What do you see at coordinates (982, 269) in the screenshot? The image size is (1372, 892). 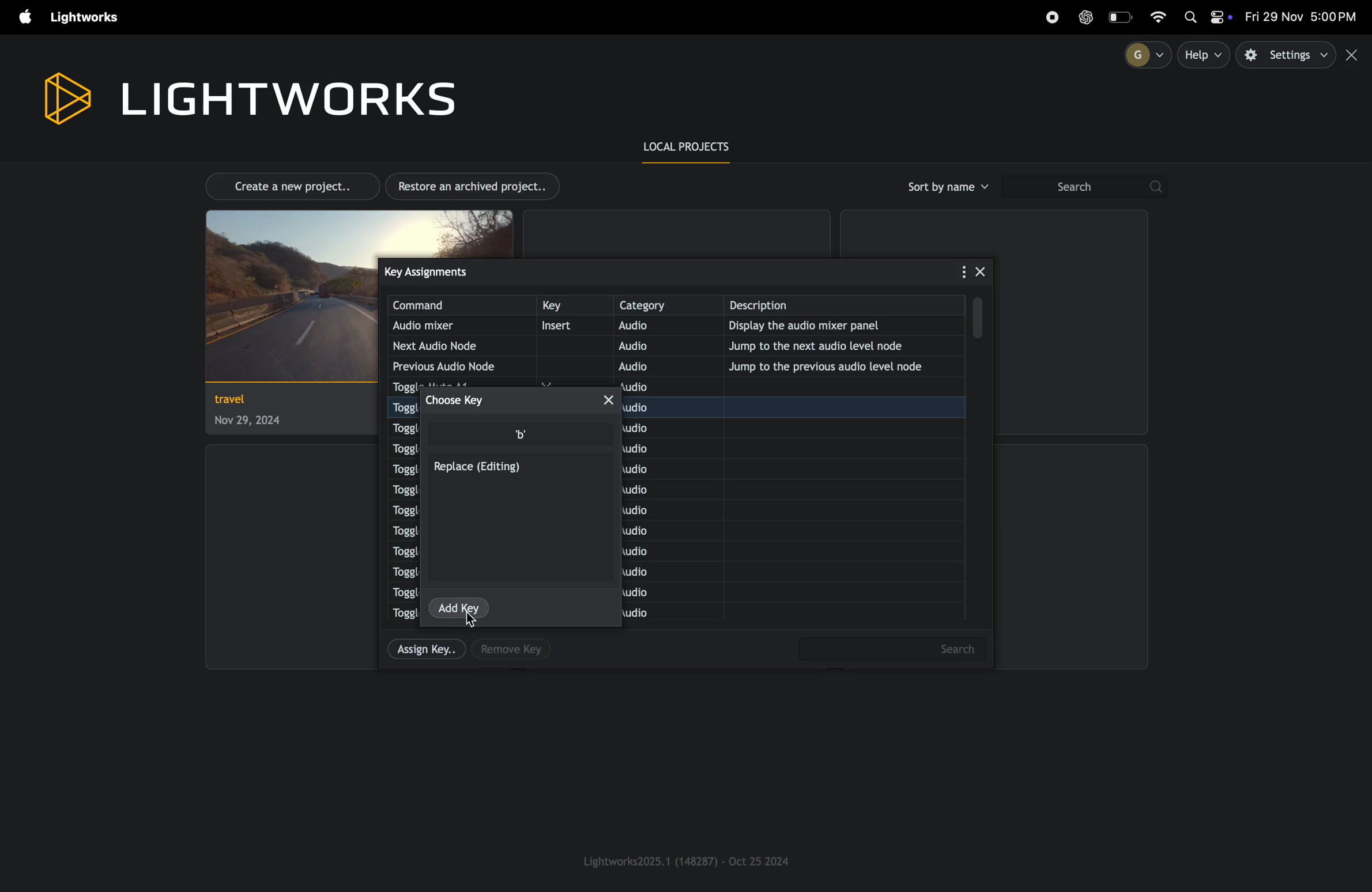 I see `close` at bounding box center [982, 269].